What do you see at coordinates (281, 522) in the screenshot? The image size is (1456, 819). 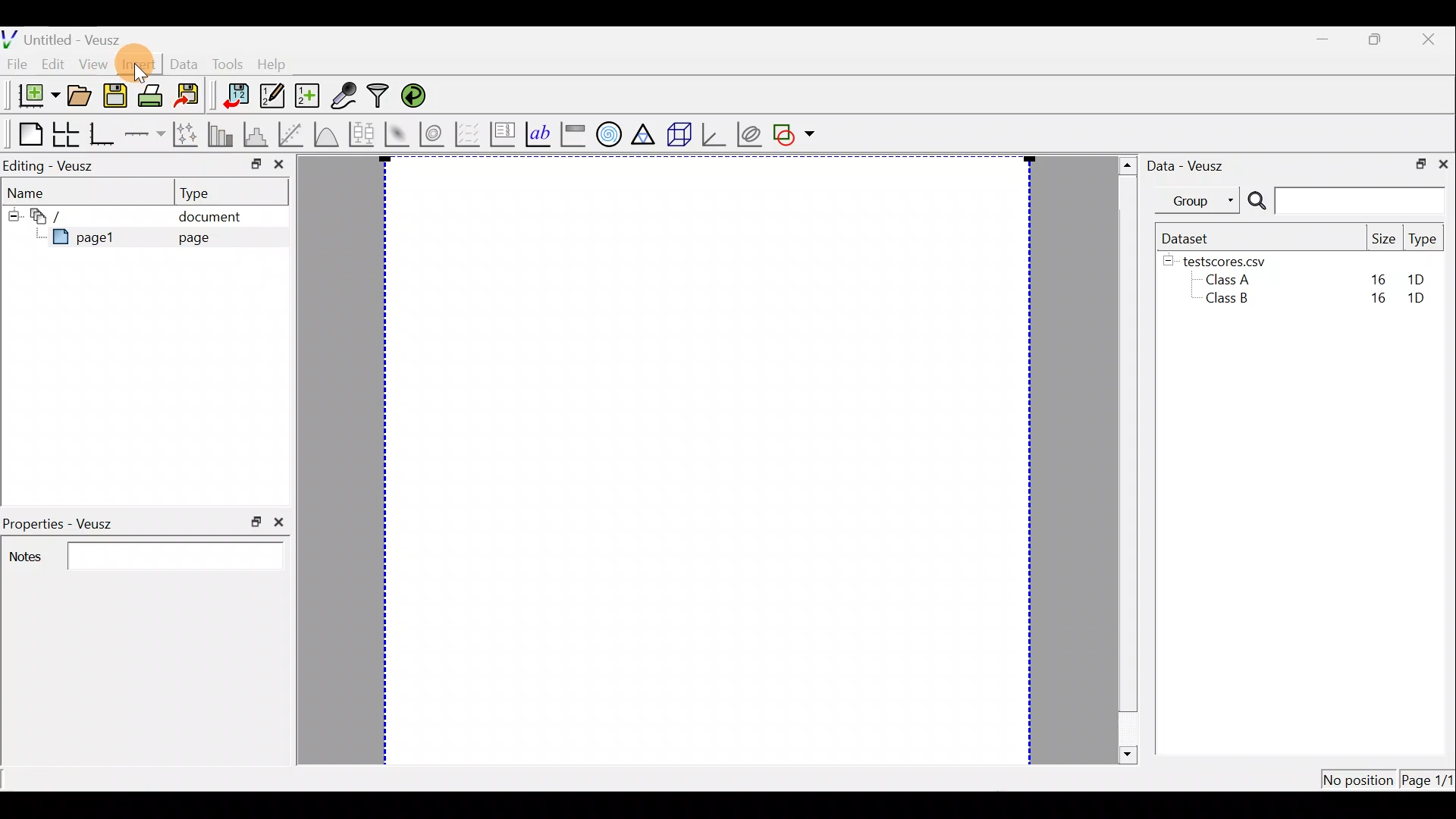 I see `close` at bounding box center [281, 522].